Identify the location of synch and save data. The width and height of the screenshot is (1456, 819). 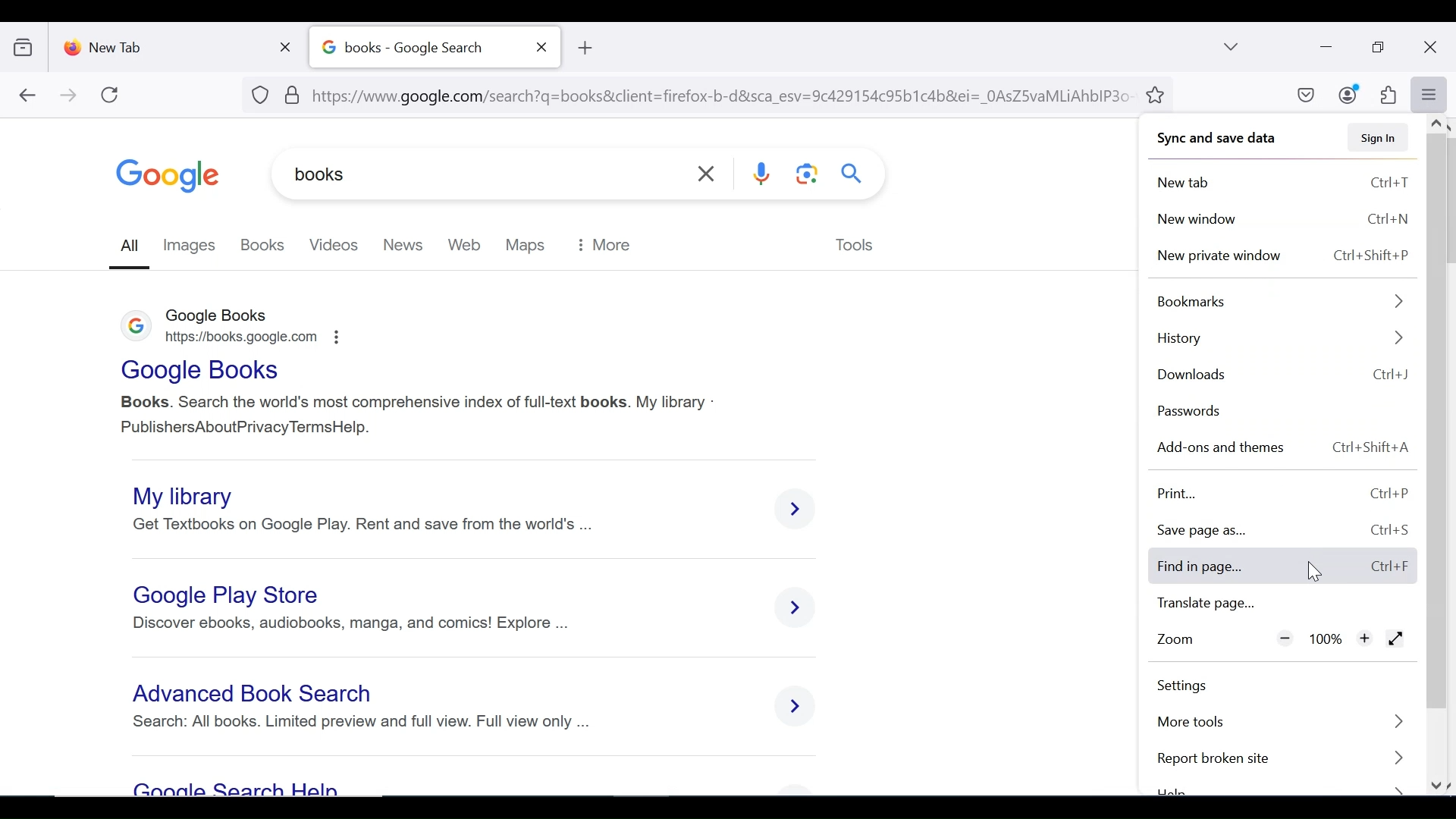
(1212, 139).